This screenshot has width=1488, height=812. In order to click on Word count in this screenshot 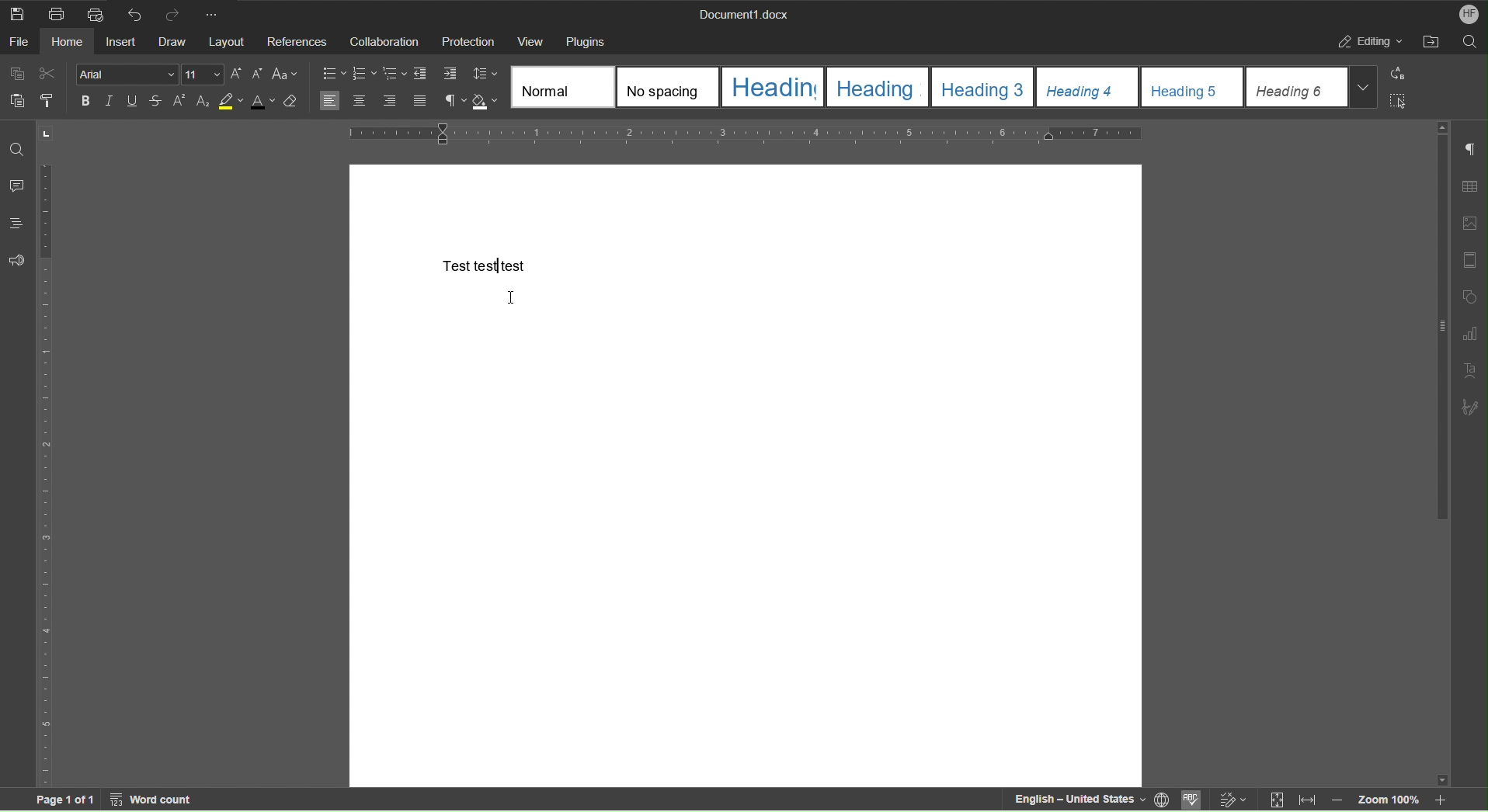, I will do `click(154, 800)`.